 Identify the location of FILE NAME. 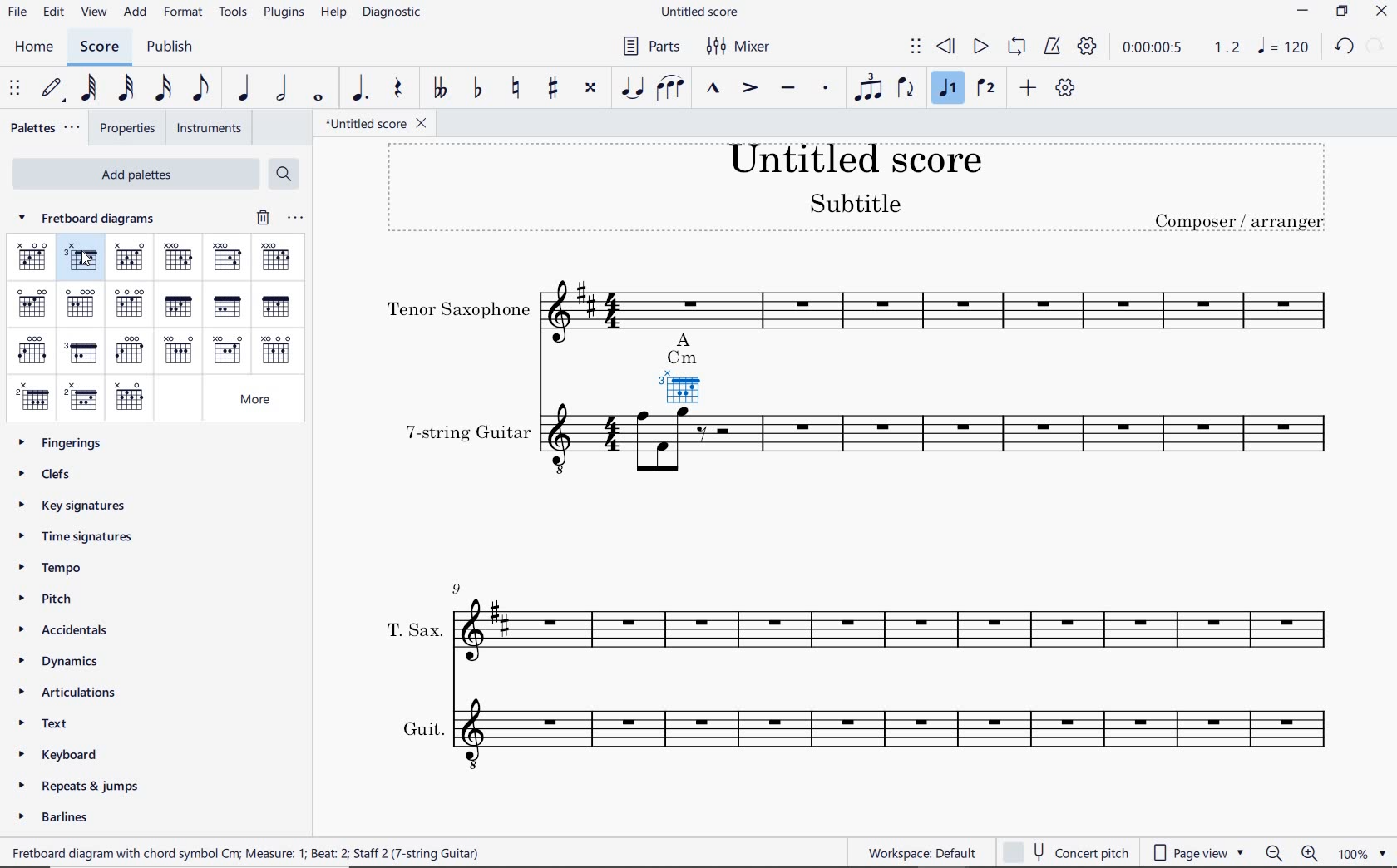
(704, 12).